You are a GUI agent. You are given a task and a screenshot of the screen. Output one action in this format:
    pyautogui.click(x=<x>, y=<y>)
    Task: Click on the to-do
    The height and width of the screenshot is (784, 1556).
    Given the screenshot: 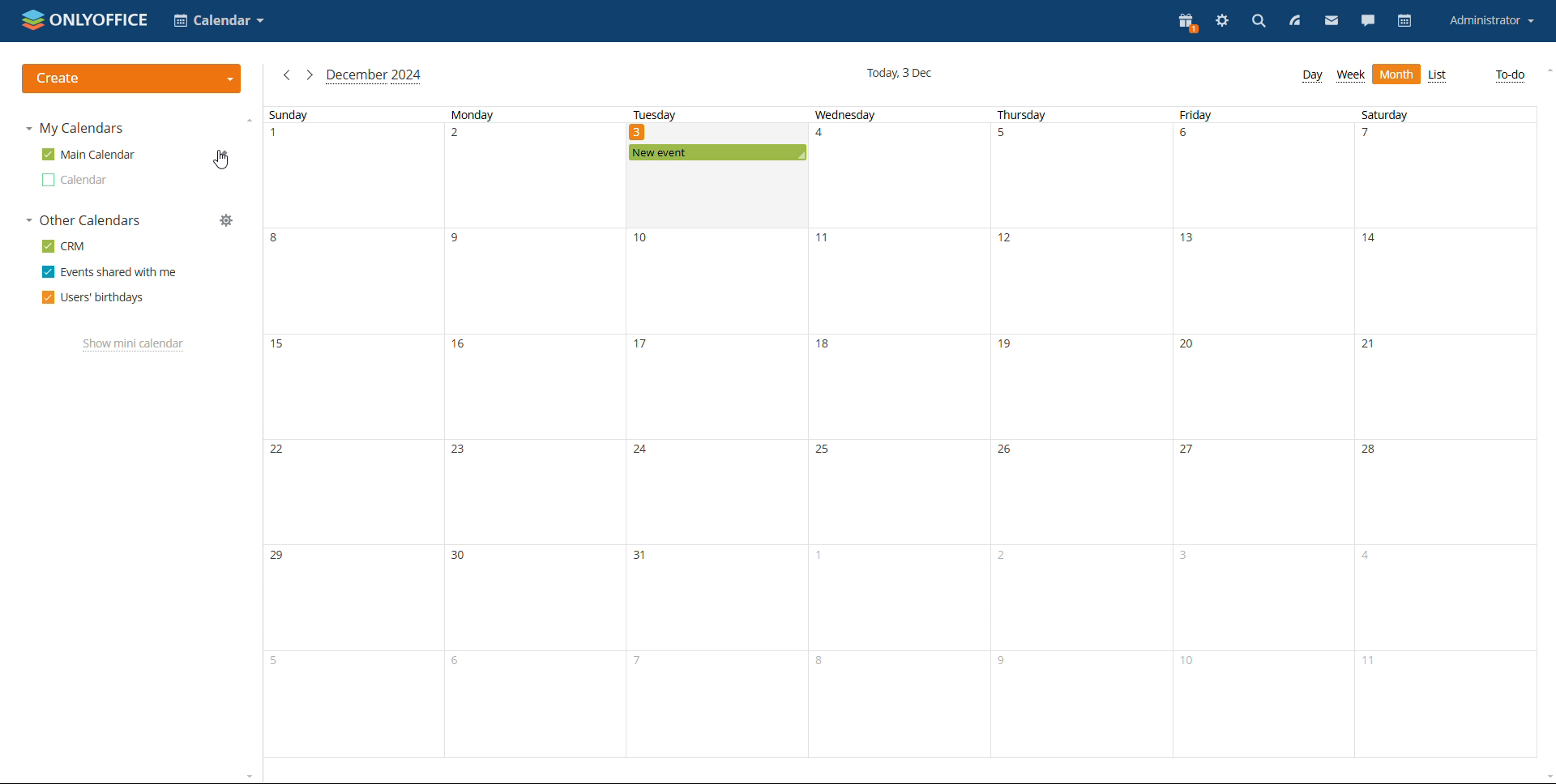 What is the action you would take?
    pyautogui.click(x=1511, y=76)
    